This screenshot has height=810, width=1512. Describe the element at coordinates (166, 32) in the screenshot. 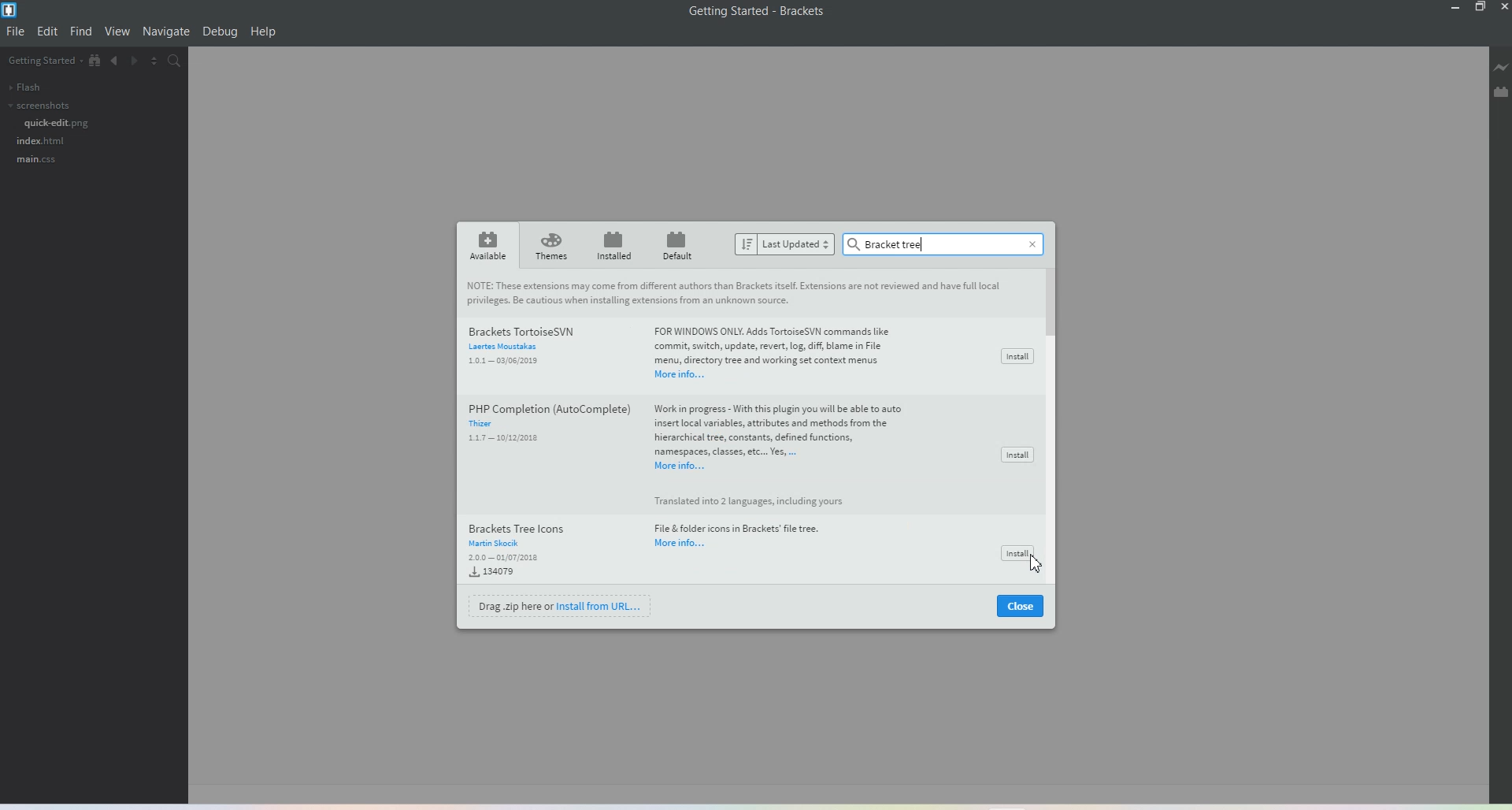

I see `Navigate` at that location.